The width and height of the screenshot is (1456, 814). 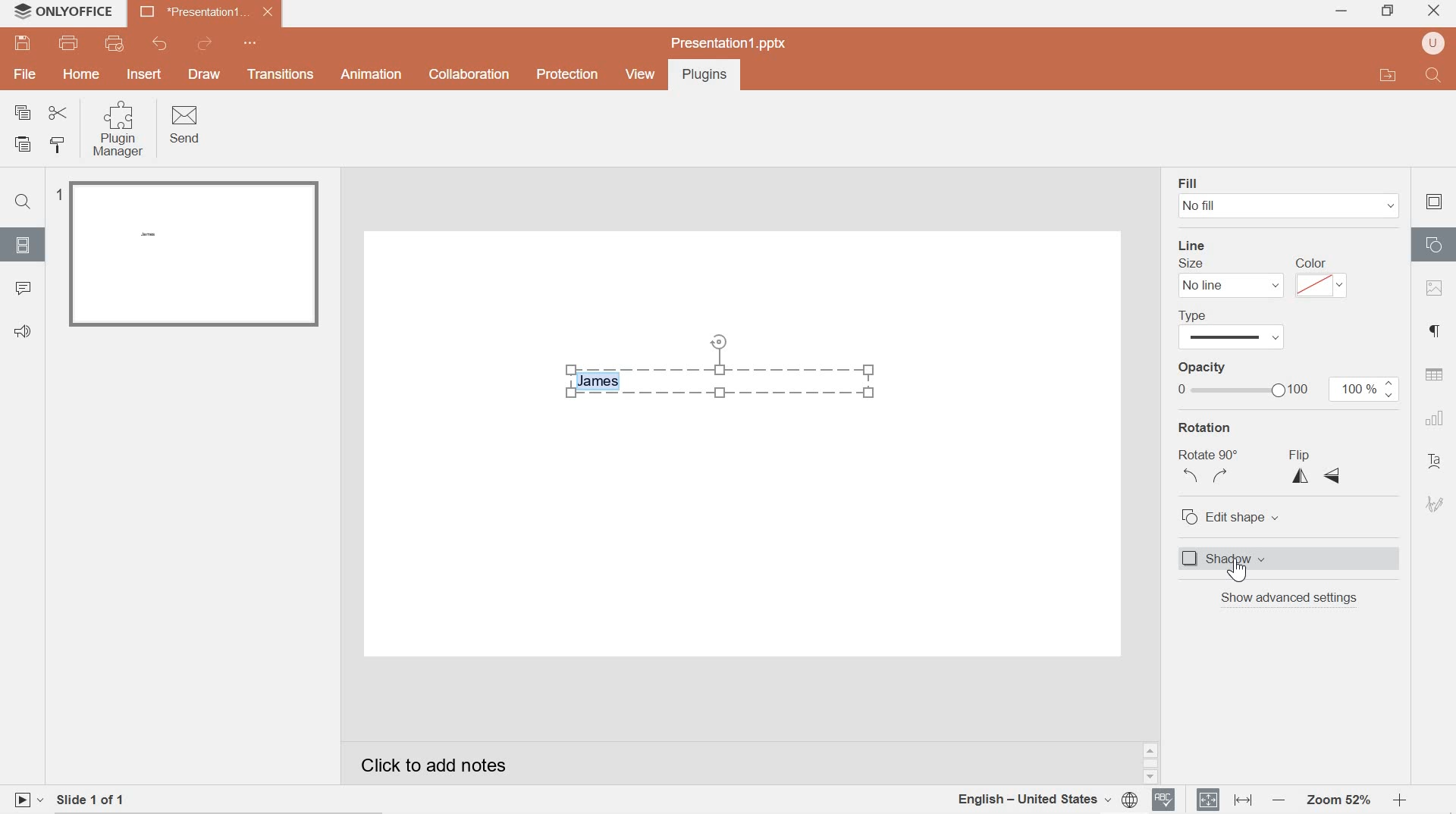 What do you see at coordinates (566, 75) in the screenshot?
I see `Protection` at bounding box center [566, 75].